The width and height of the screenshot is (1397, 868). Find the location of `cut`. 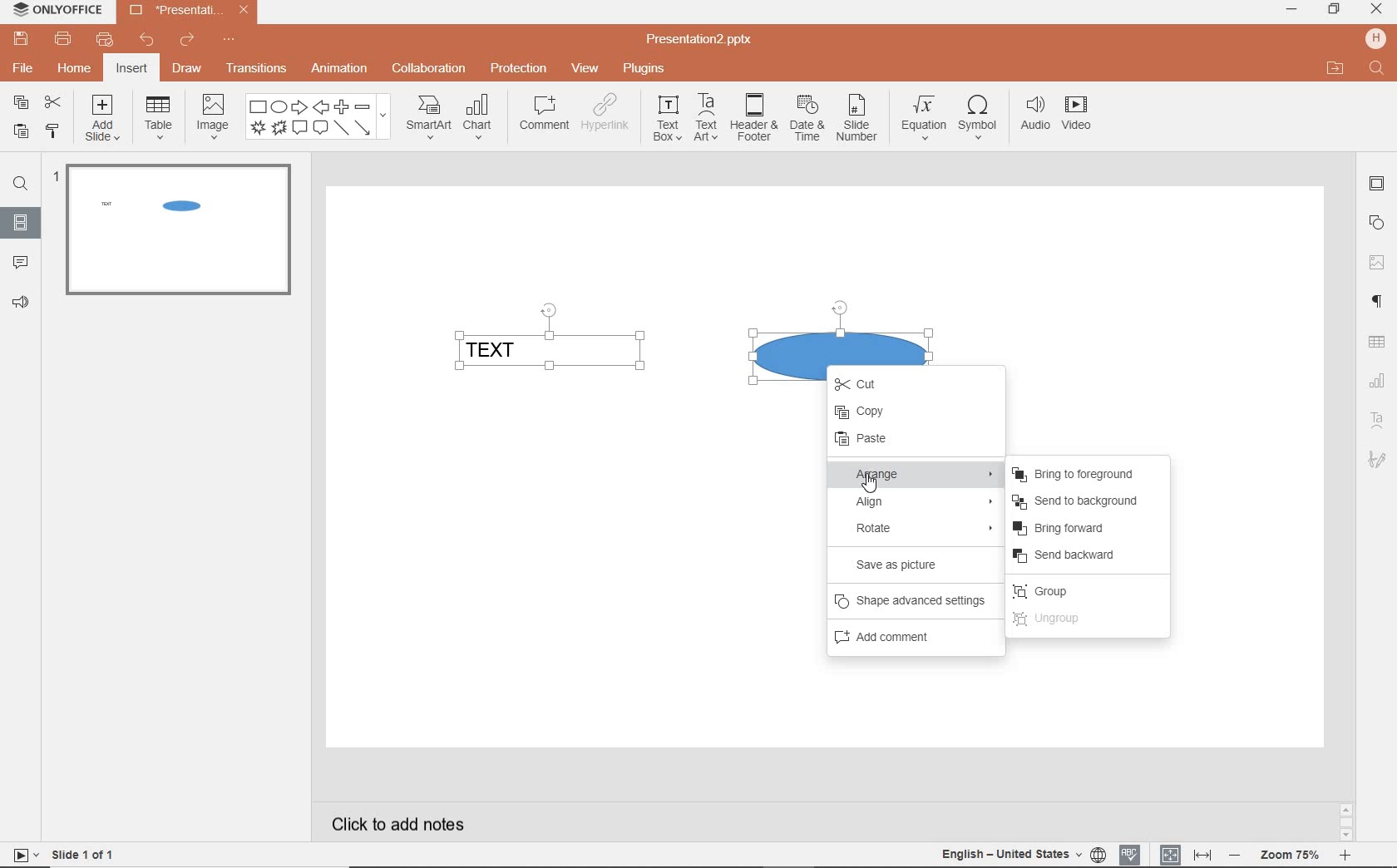

cut is located at coordinates (53, 104).